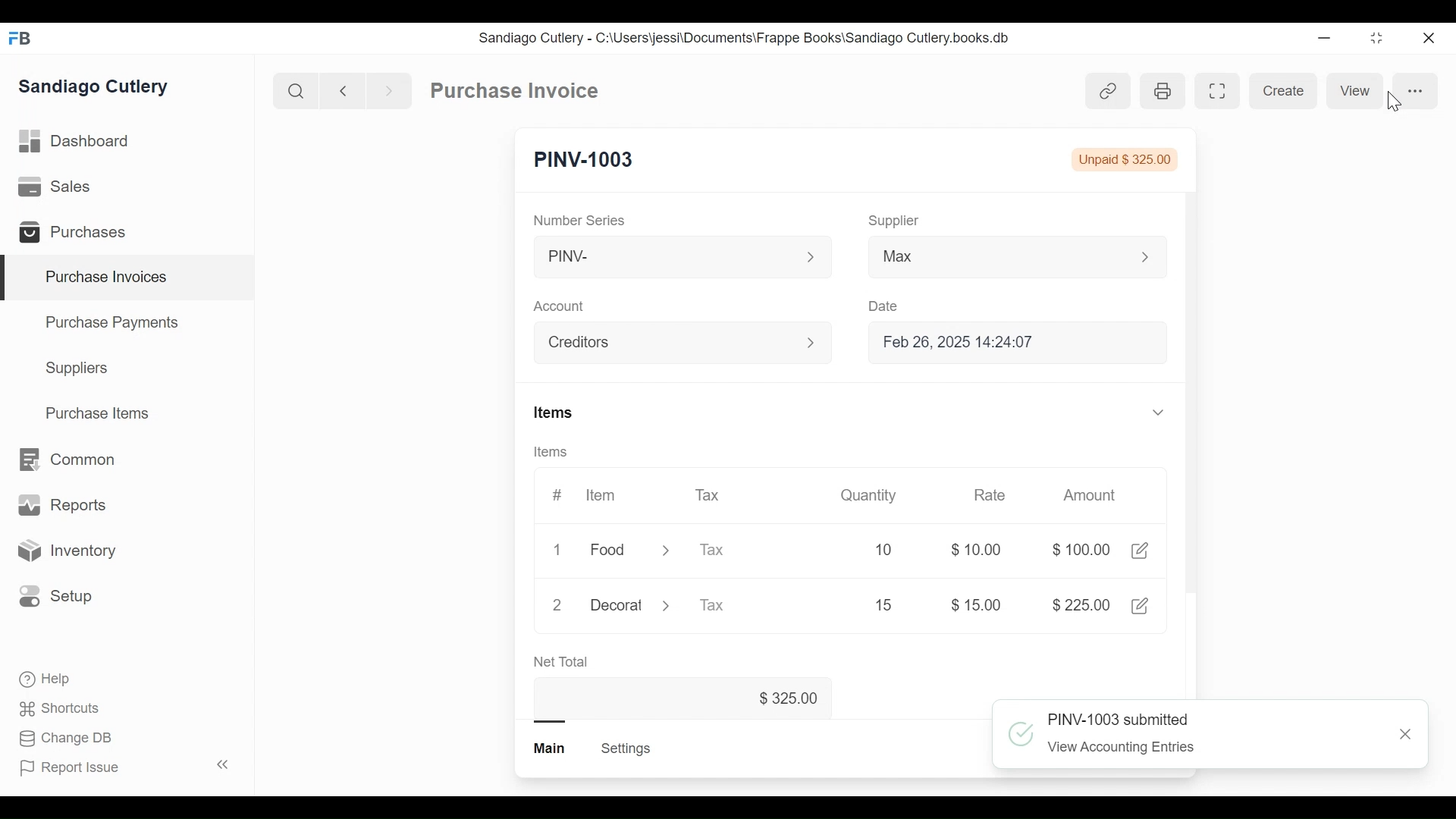  What do you see at coordinates (1321, 39) in the screenshot?
I see `Minimize` at bounding box center [1321, 39].